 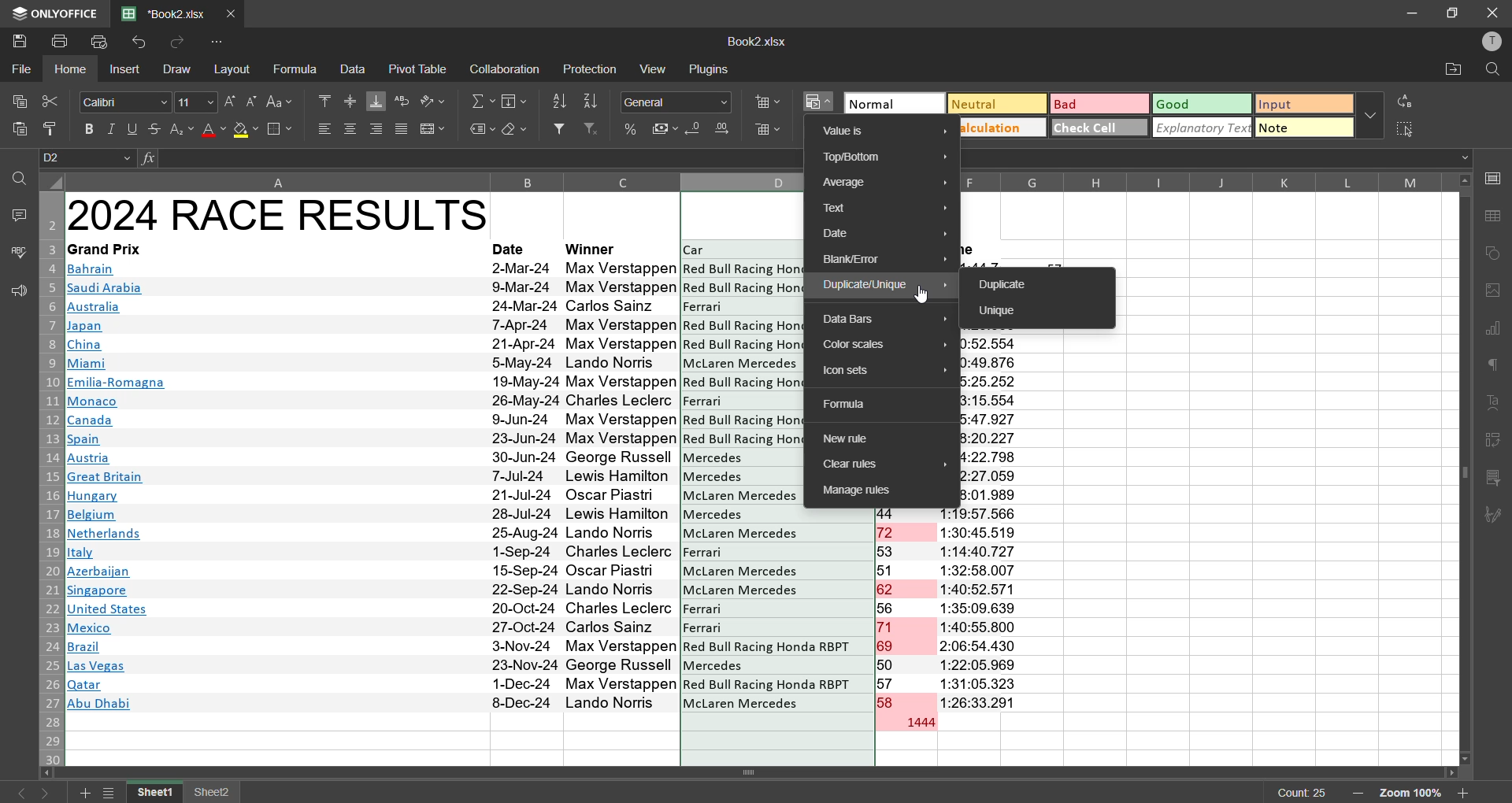 I want to click on Racer’s name, so click(x=622, y=487).